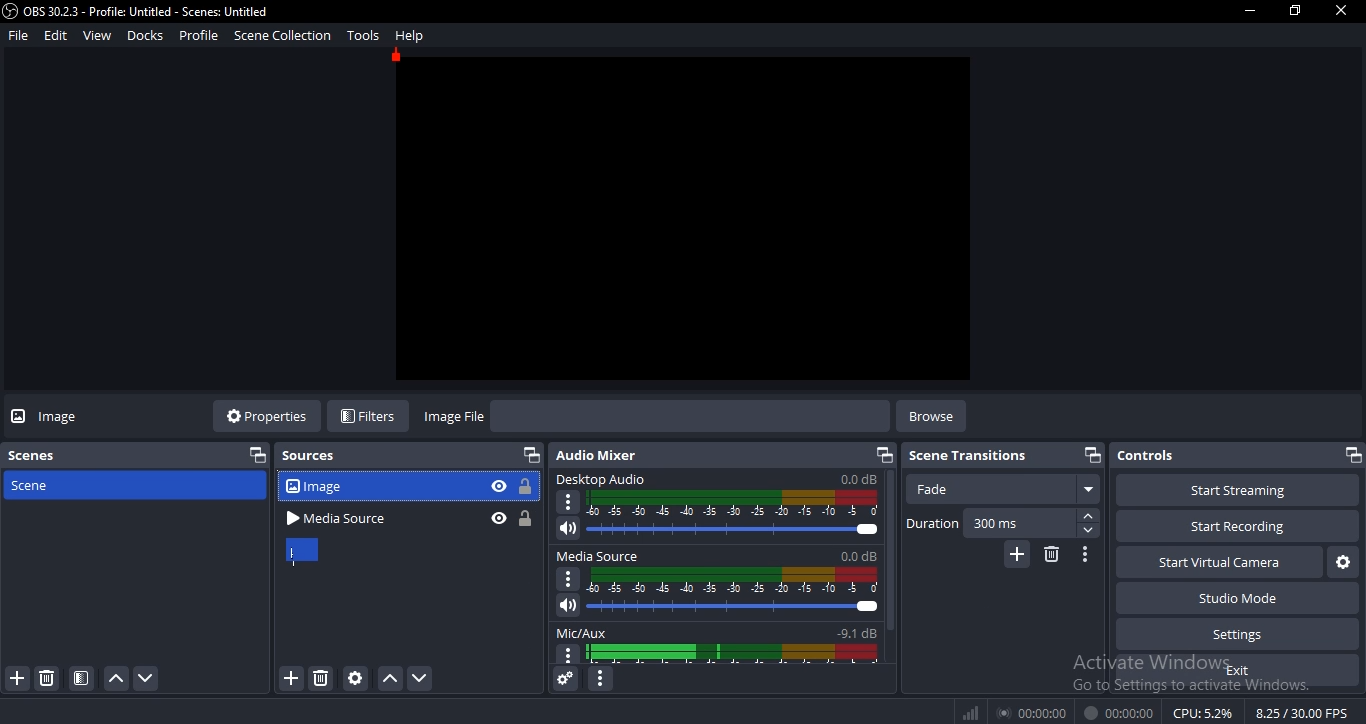 The height and width of the screenshot is (724, 1366). What do you see at coordinates (1083, 555) in the screenshot?
I see `configure scene transition` at bounding box center [1083, 555].